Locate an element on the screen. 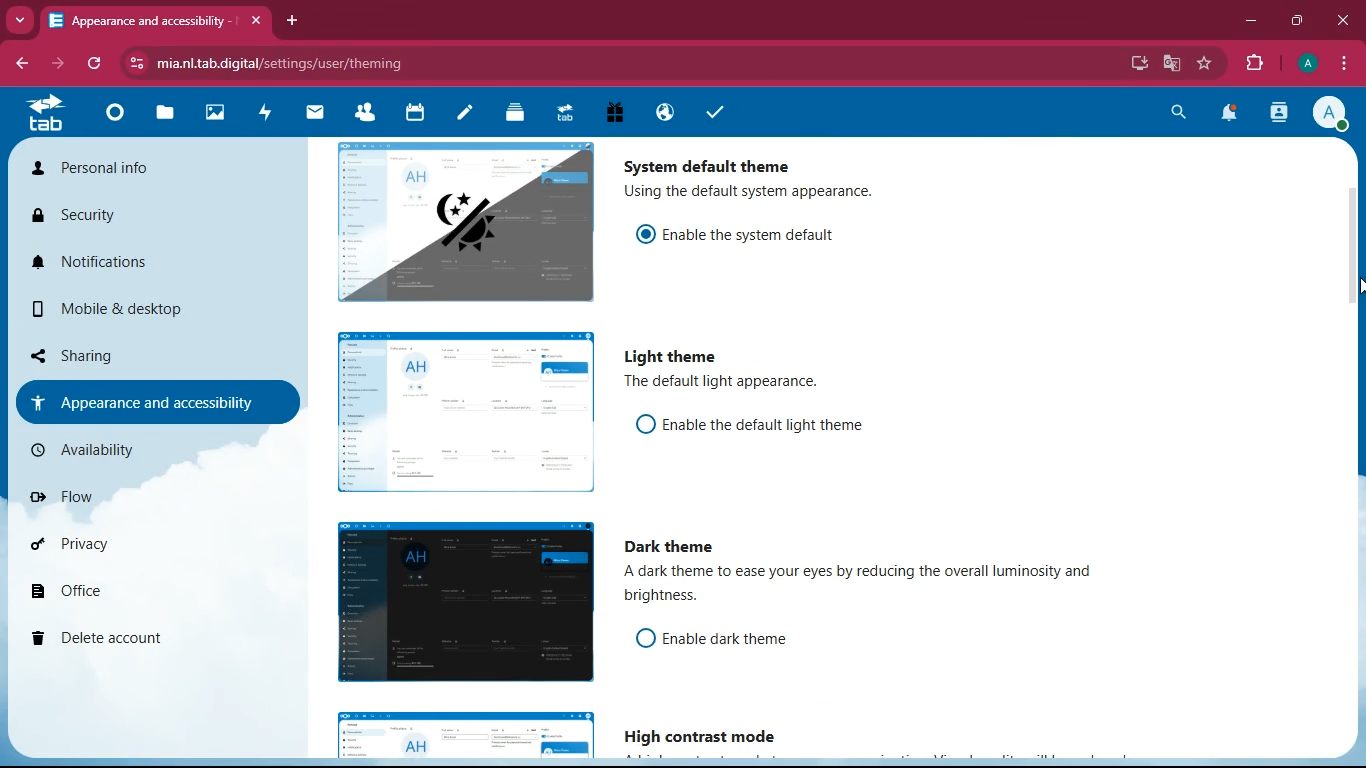 The image size is (1366, 768). scroll bar is located at coordinates (1356, 342).